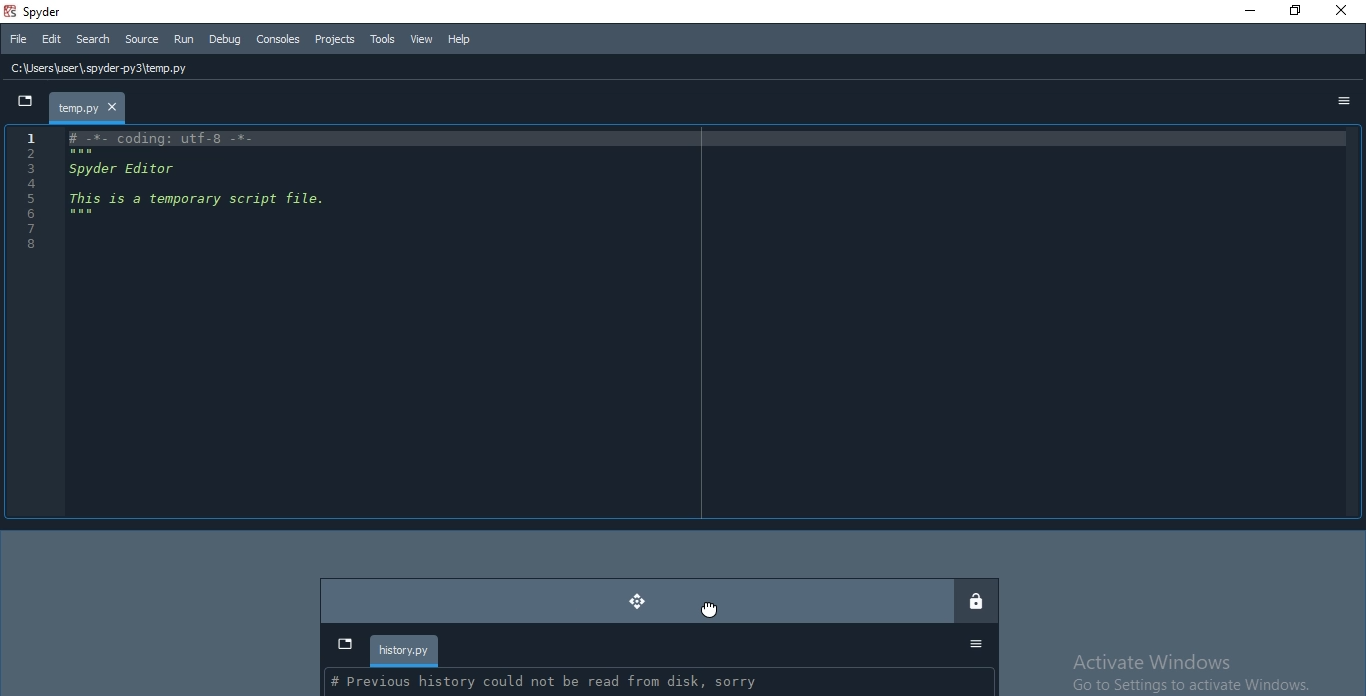  What do you see at coordinates (95, 39) in the screenshot?
I see `Search` at bounding box center [95, 39].